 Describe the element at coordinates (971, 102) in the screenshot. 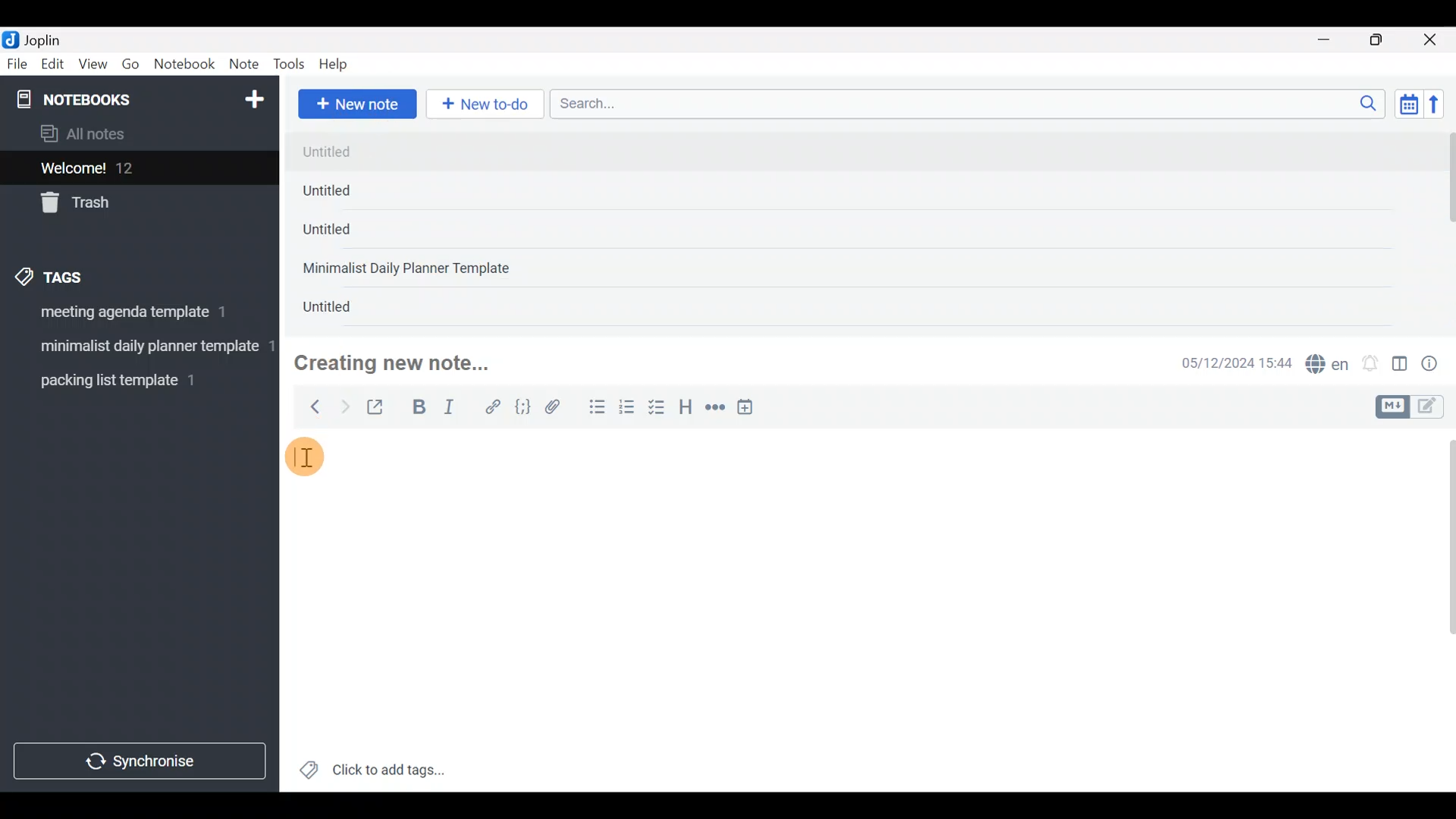

I see `Search bar` at that location.